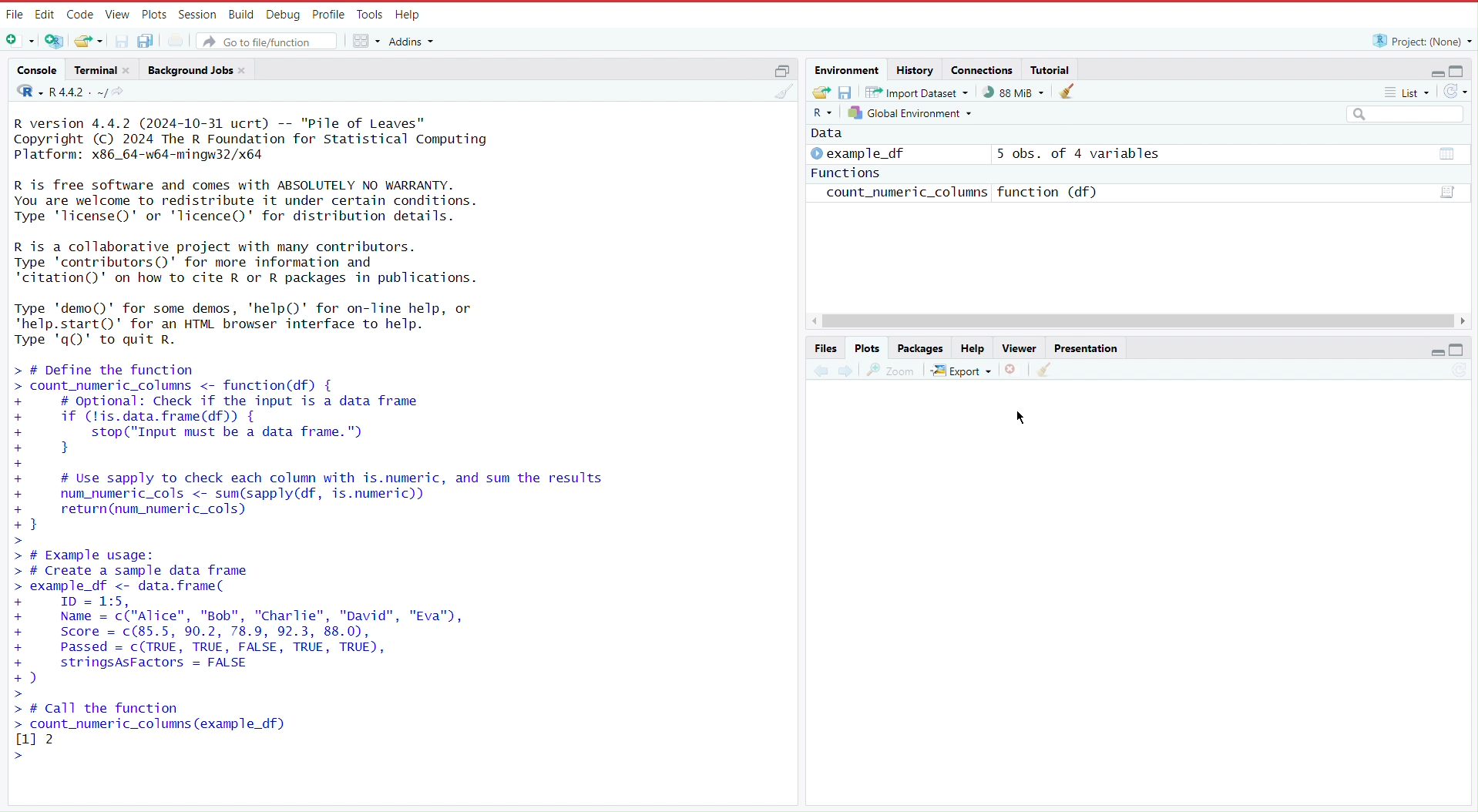 This screenshot has height=812, width=1478. What do you see at coordinates (1086, 347) in the screenshot?
I see `Presentation` at bounding box center [1086, 347].